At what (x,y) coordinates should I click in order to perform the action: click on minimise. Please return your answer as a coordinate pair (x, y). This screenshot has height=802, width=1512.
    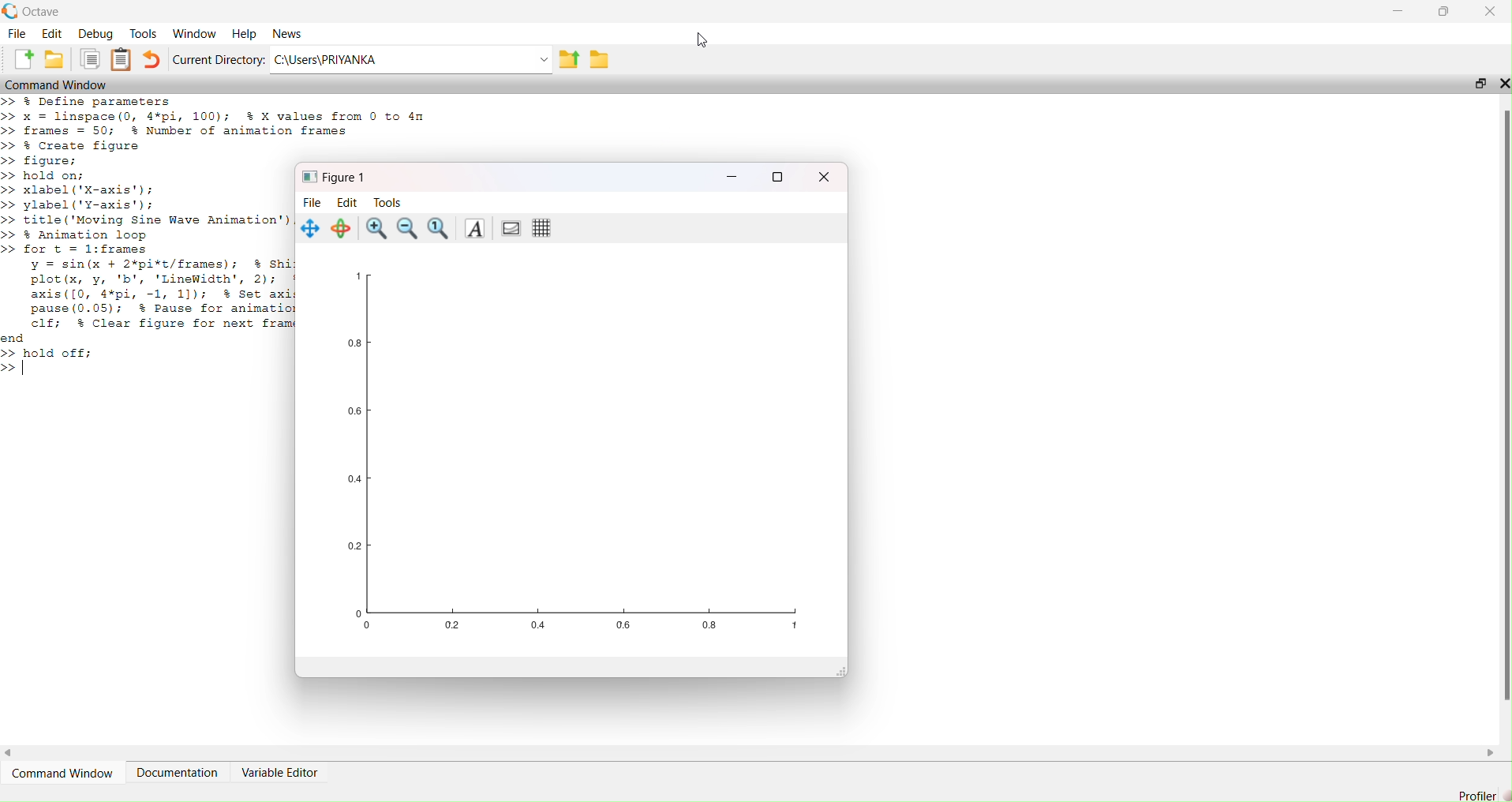
    Looking at the image, I should click on (732, 174).